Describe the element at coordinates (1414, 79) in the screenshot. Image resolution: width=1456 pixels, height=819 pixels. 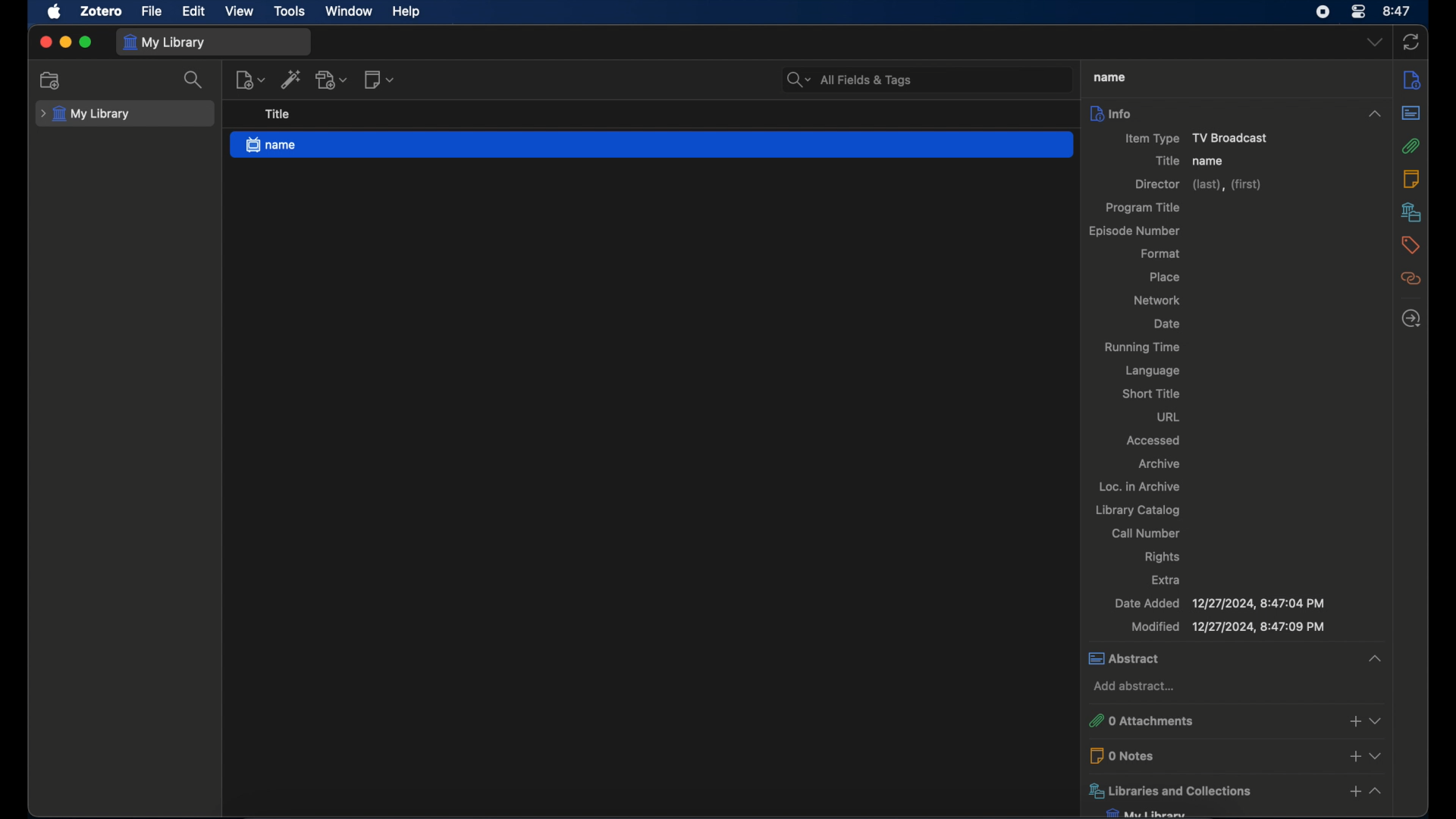
I see `info` at that location.